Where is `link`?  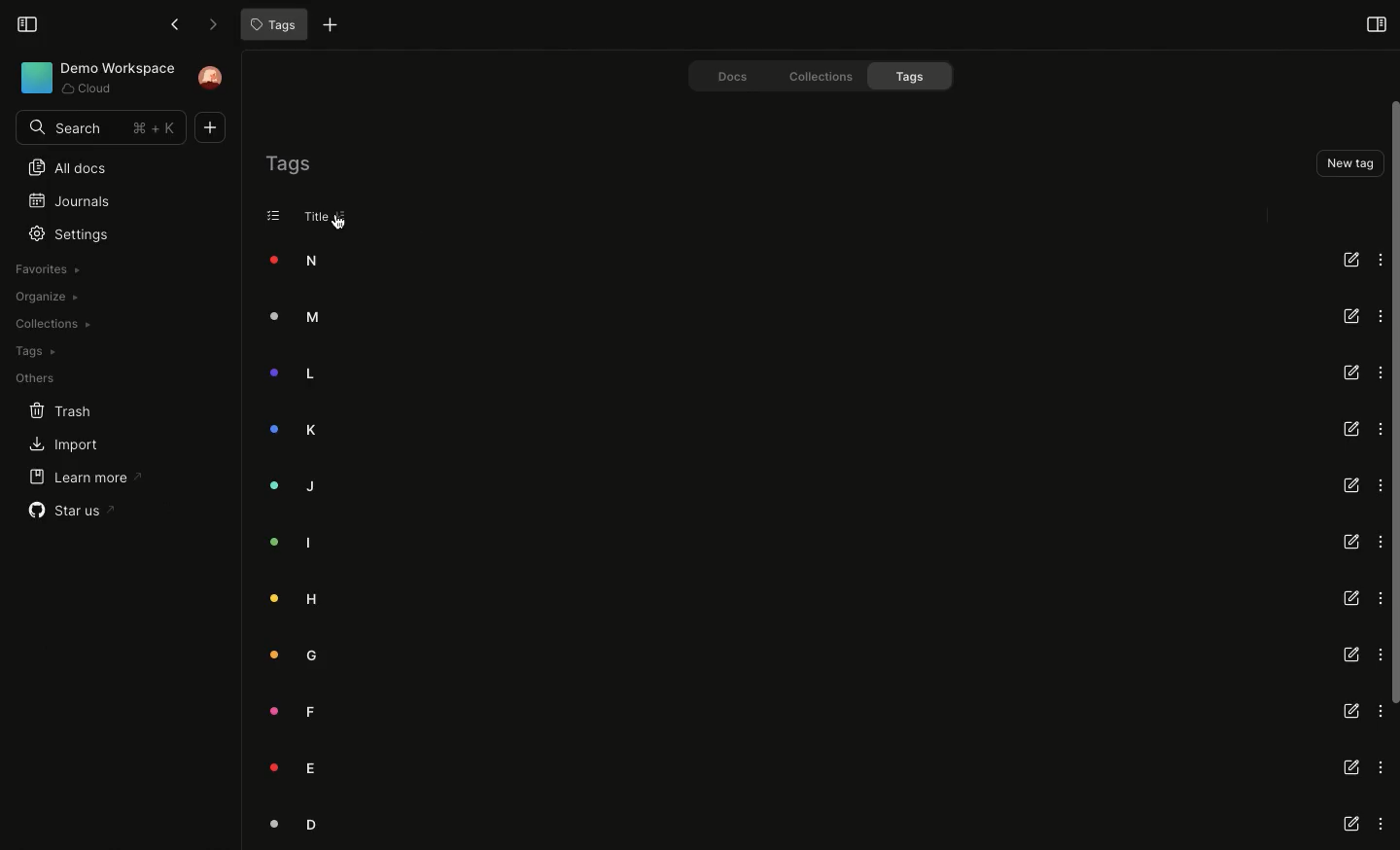 link is located at coordinates (1351, 826).